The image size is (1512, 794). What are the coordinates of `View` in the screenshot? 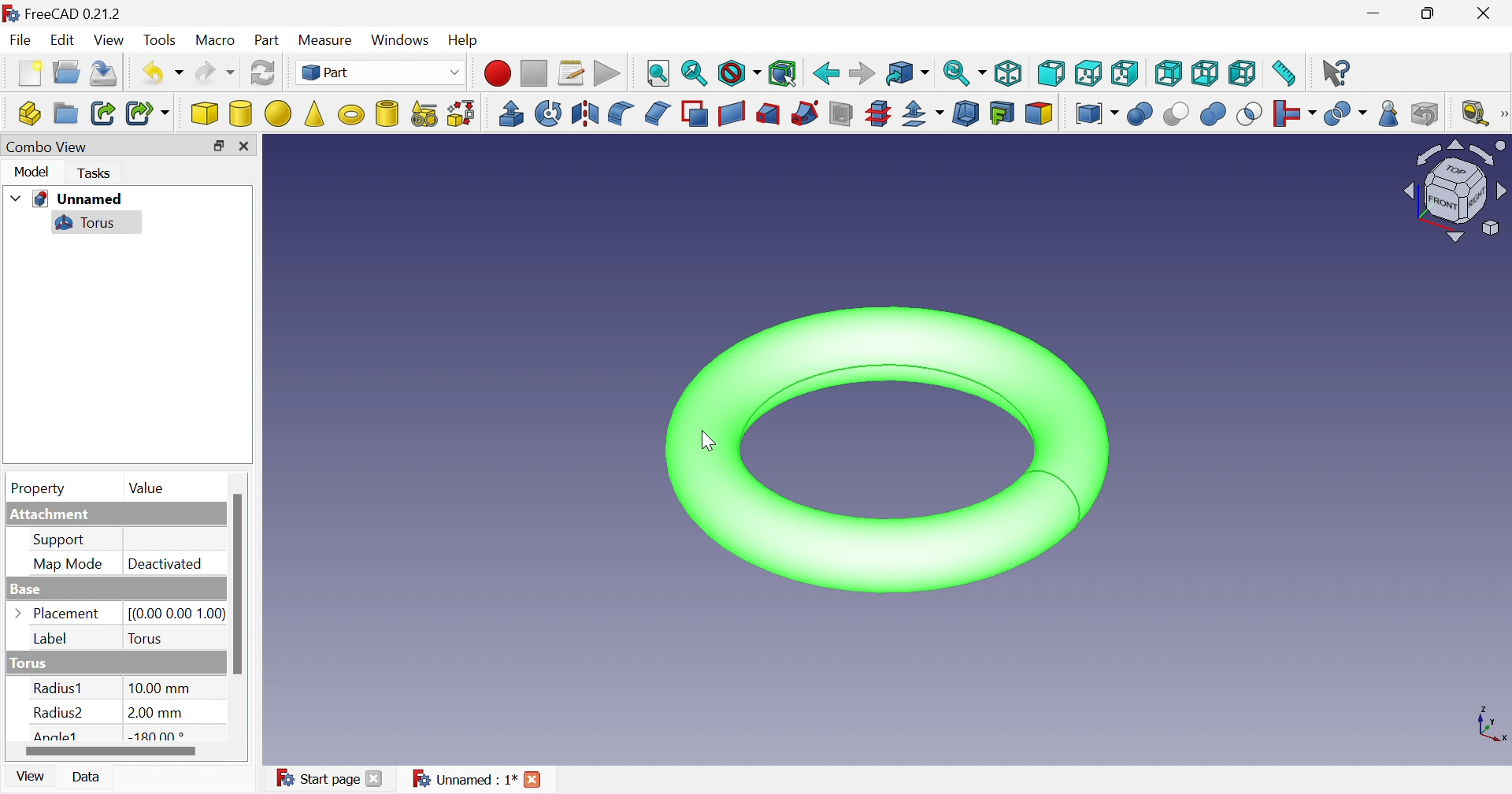 It's located at (34, 777).